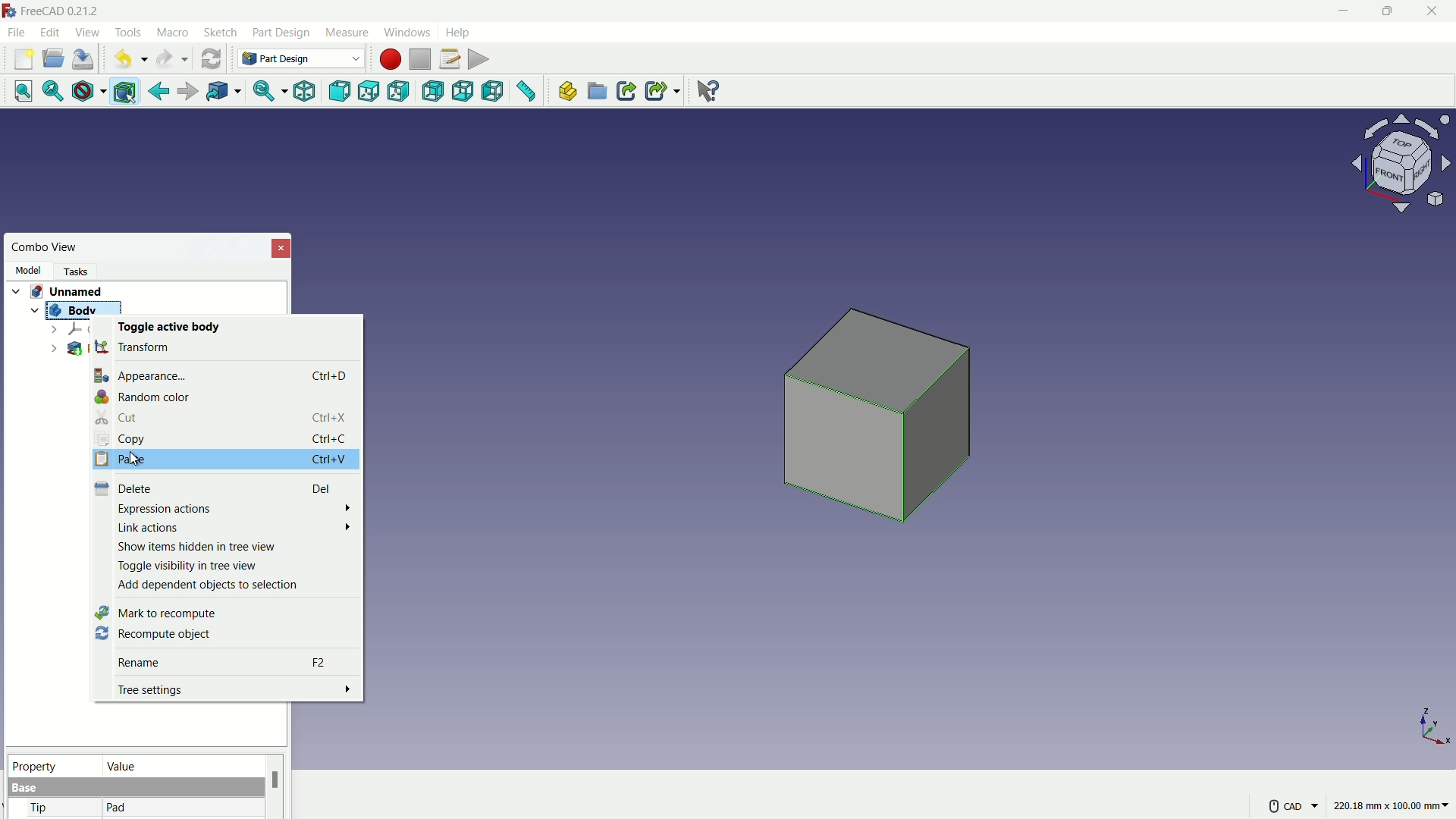 This screenshot has height=819, width=1456. I want to click on Body, so click(81, 310).